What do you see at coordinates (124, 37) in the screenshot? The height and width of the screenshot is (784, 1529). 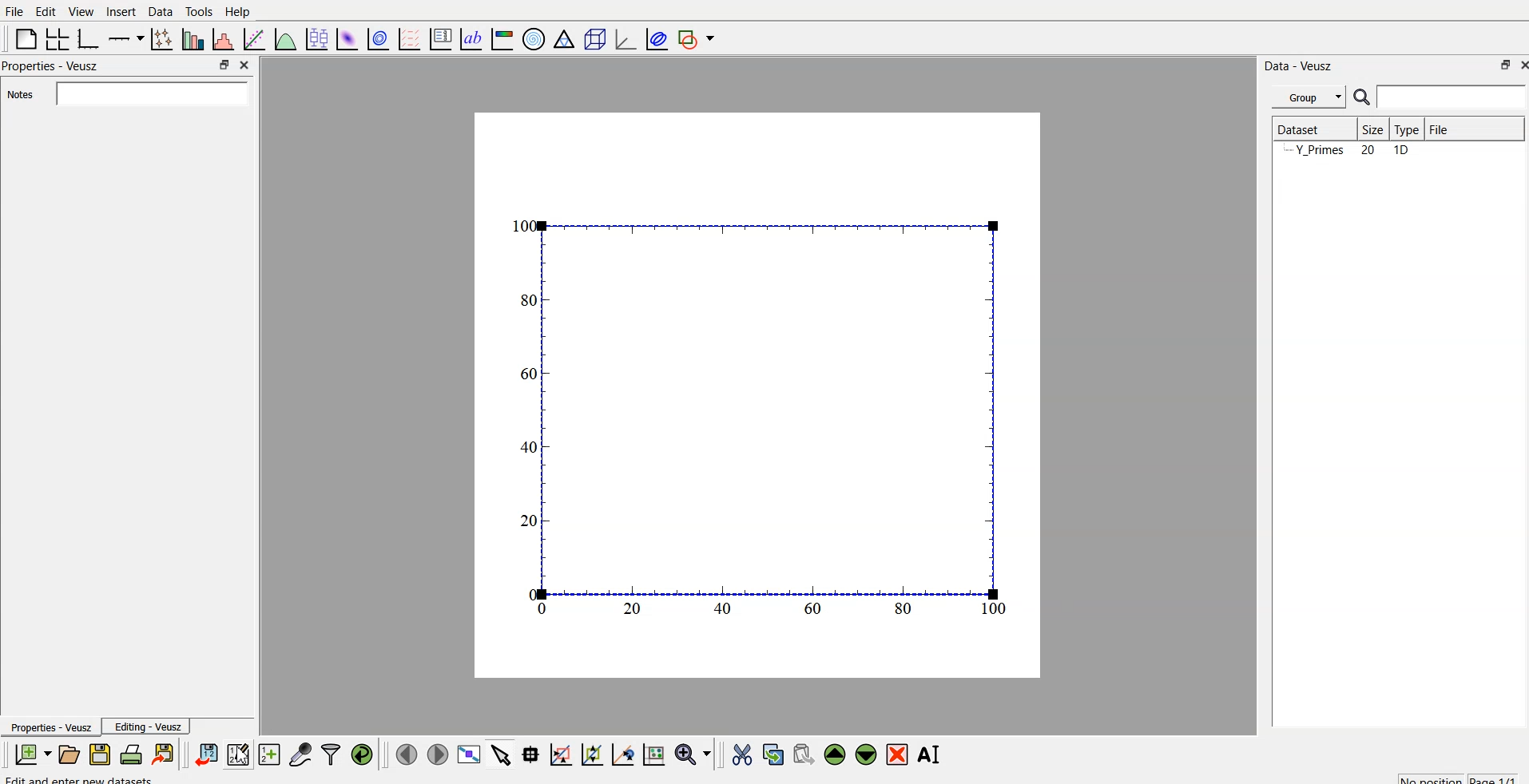 I see `plot on axis` at bounding box center [124, 37].